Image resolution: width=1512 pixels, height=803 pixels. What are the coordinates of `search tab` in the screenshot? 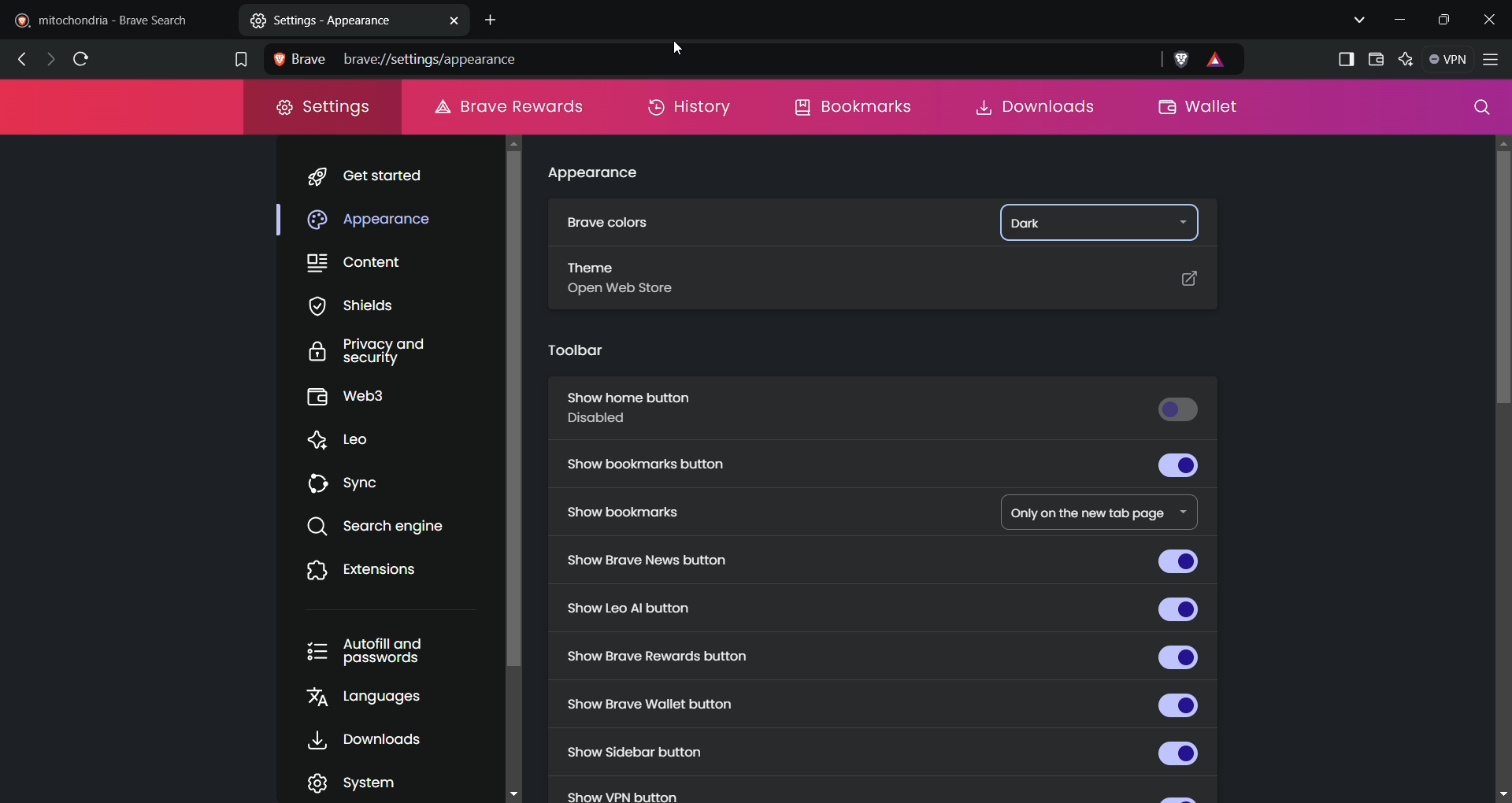 It's located at (1357, 19).